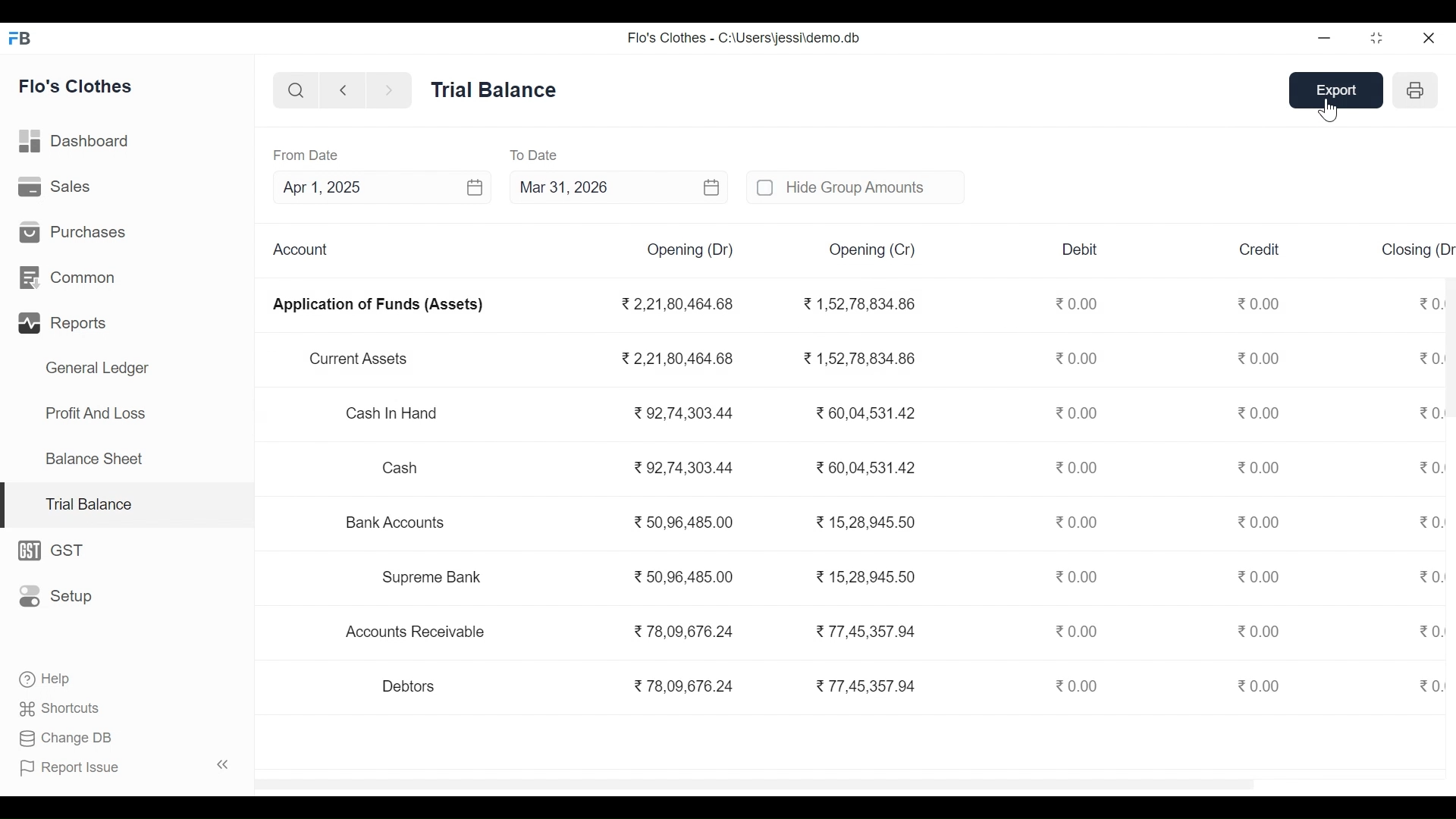 This screenshot has width=1456, height=819. What do you see at coordinates (1076, 522) in the screenshot?
I see `0.00` at bounding box center [1076, 522].